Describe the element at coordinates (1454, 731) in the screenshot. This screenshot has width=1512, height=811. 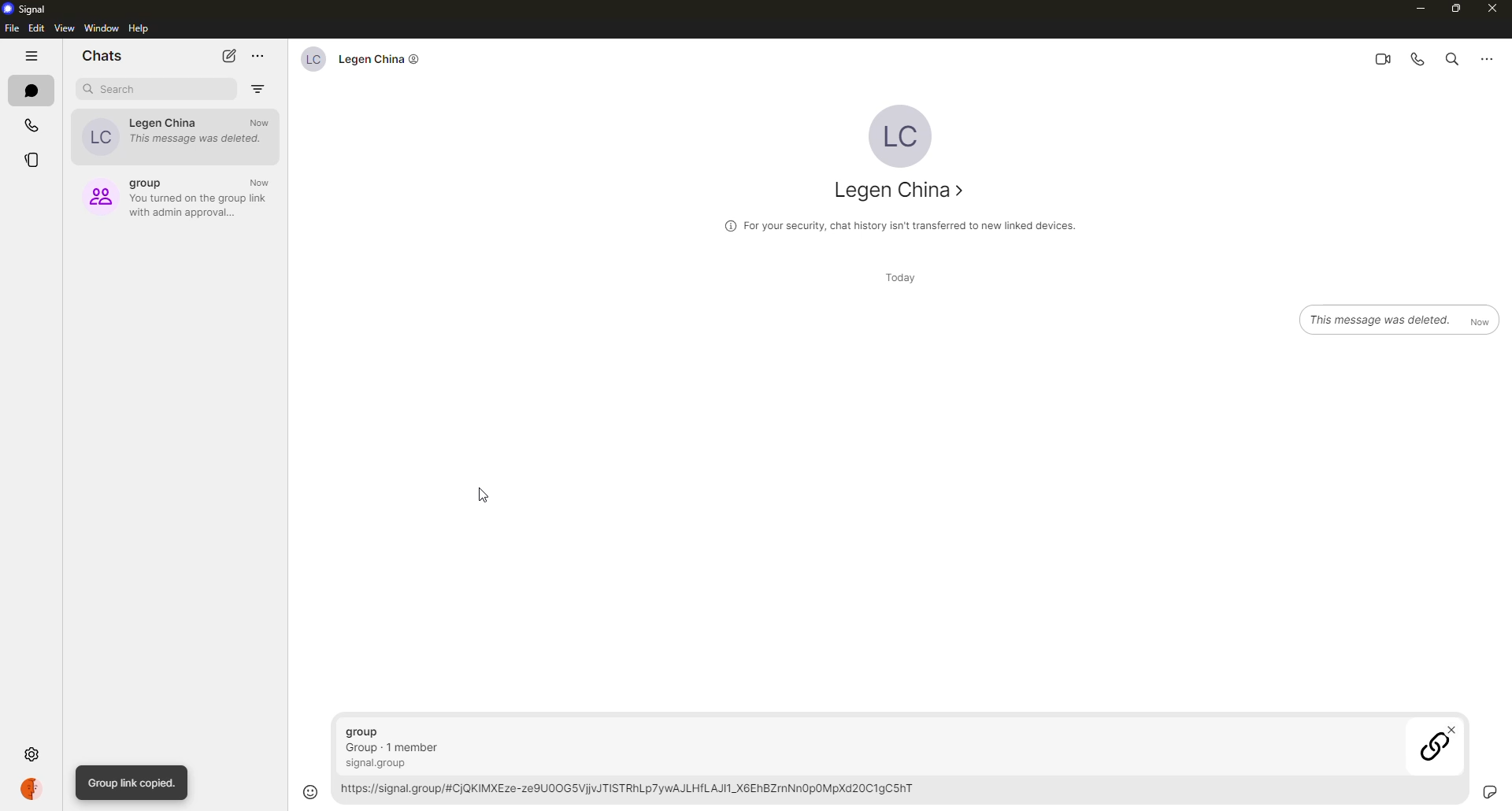
I see `close` at that location.